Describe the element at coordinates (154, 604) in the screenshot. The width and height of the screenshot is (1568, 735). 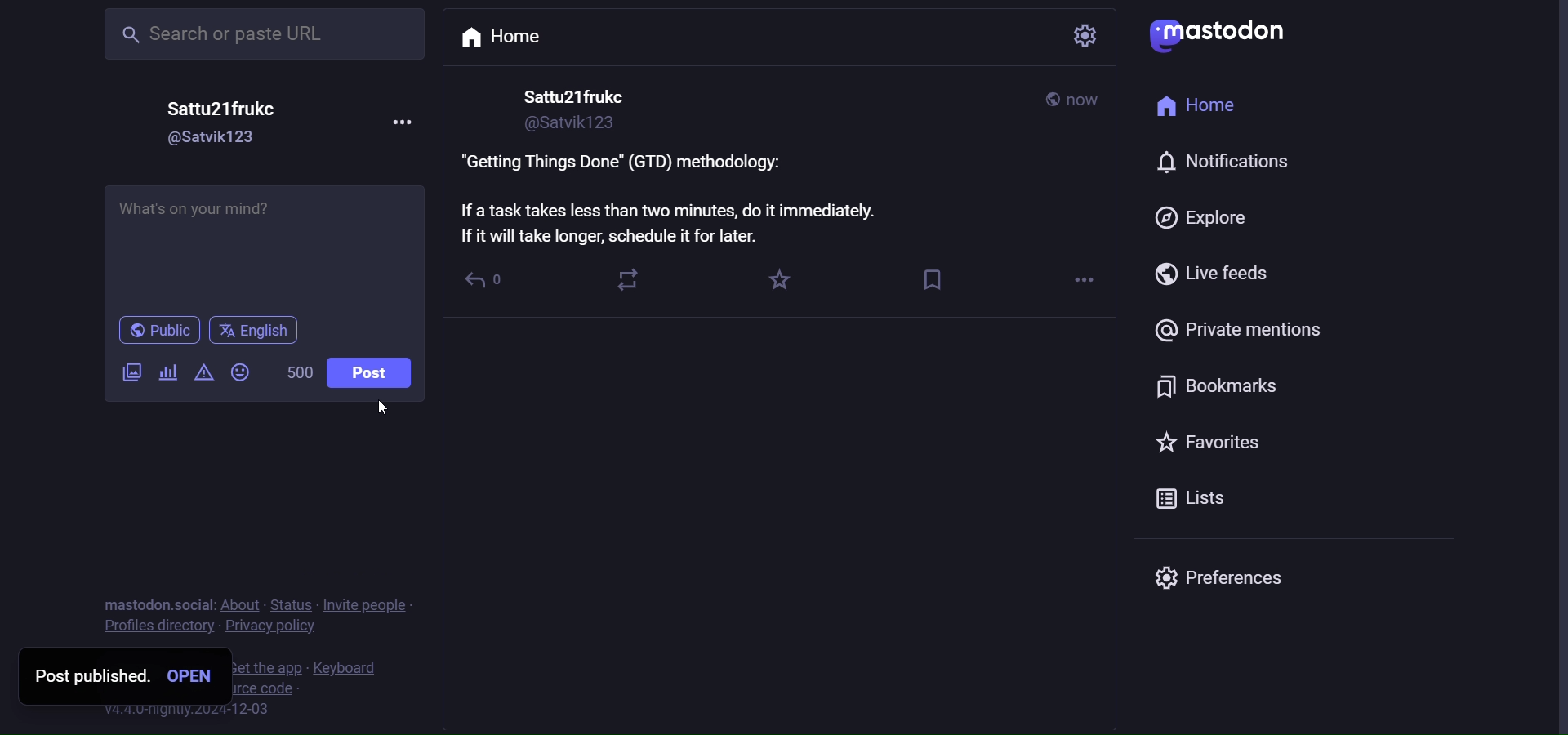
I see `mastodon social` at that location.